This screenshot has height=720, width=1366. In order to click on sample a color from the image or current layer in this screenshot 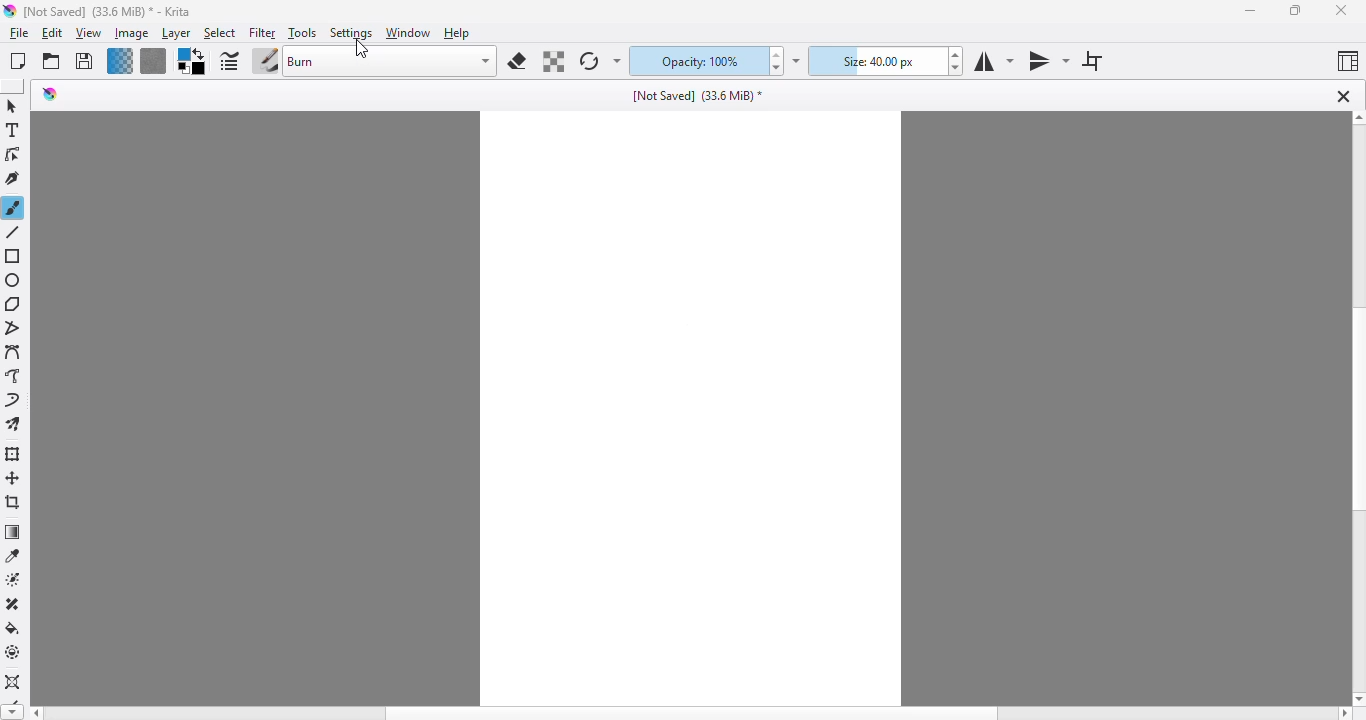, I will do `click(13, 555)`.